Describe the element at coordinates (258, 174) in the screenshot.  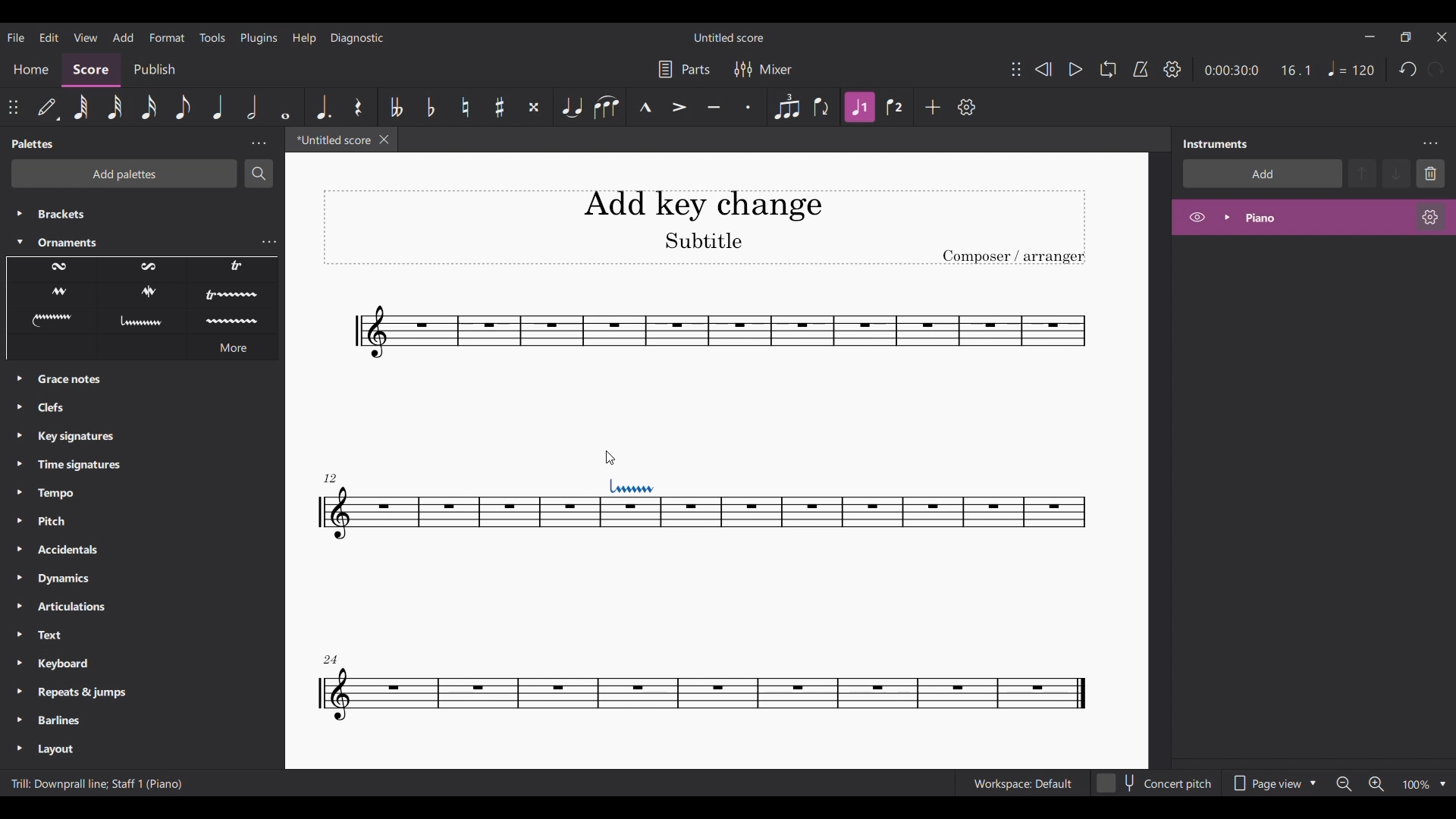
I see `Search palette` at that location.